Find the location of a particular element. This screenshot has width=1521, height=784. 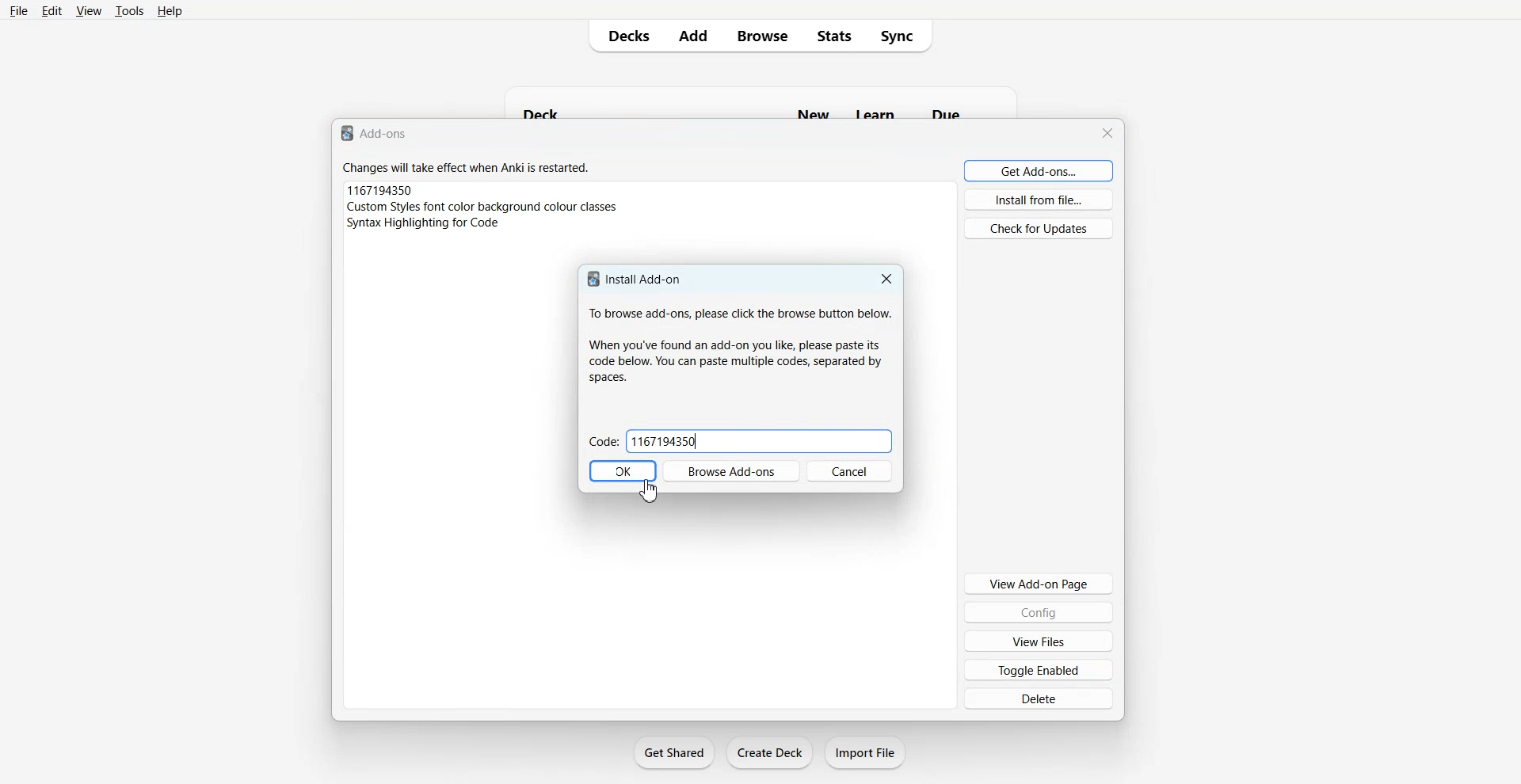

Install from file is located at coordinates (1040, 200).